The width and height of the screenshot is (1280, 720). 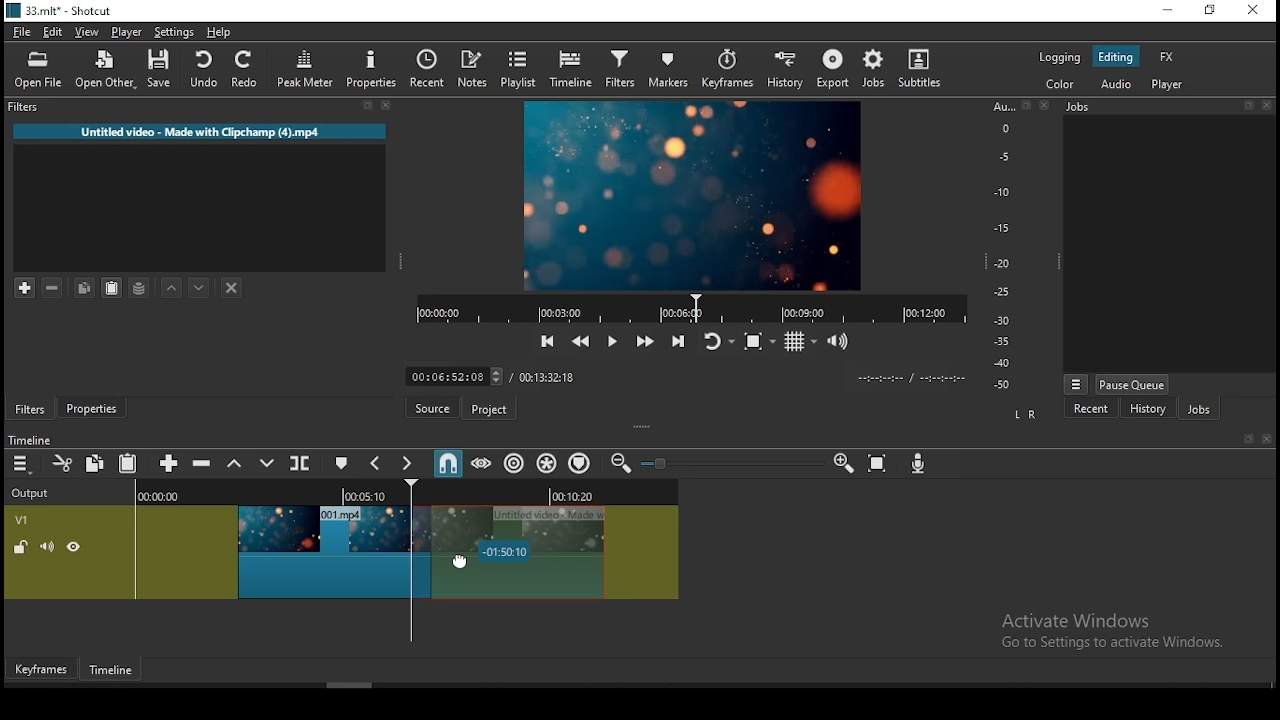 What do you see at coordinates (76, 547) in the screenshot?
I see `(un)hide` at bounding box center [76, 547].